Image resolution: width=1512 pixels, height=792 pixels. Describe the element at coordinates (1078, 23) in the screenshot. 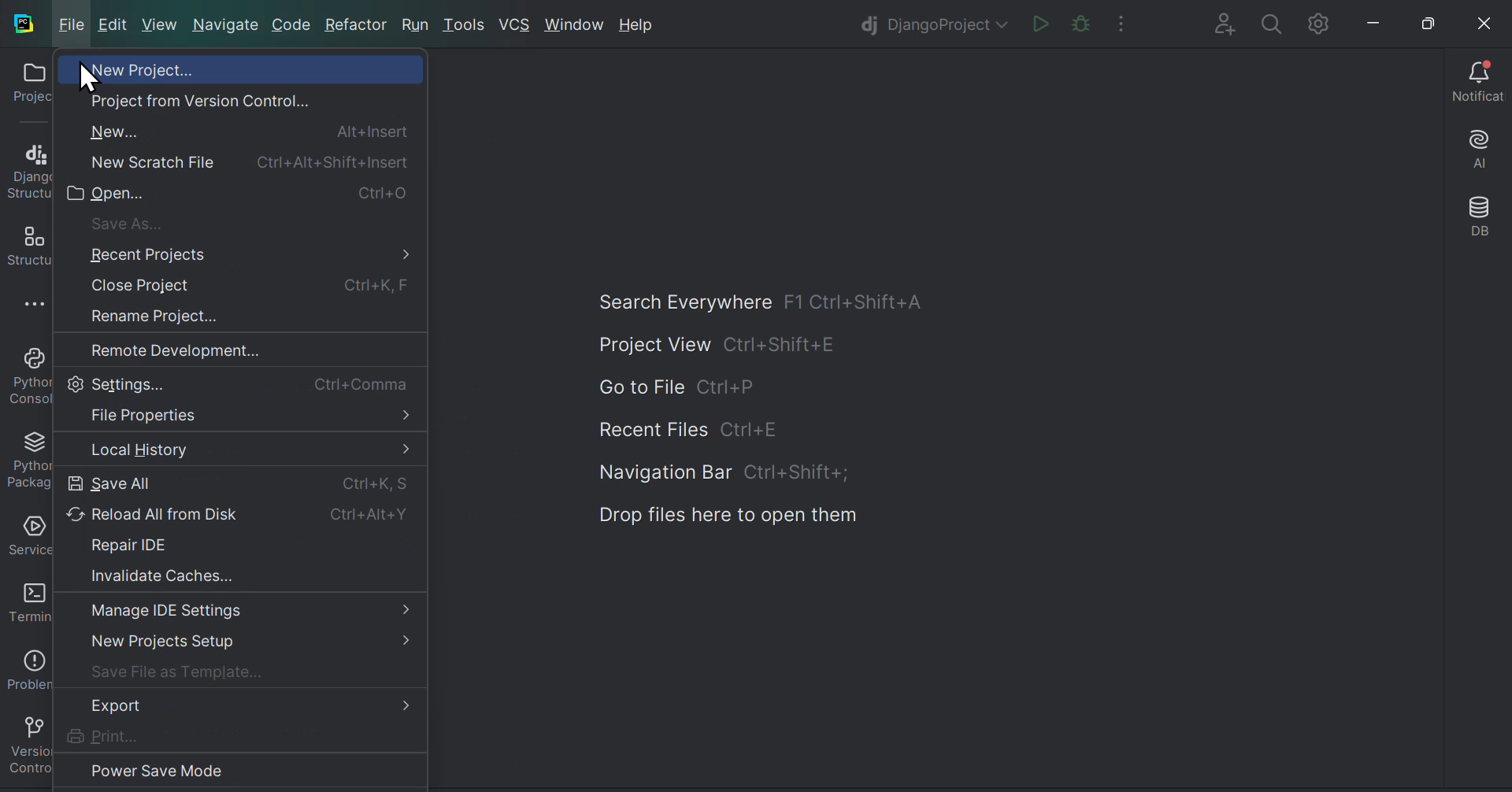

I see `The file in the editor is not renewable` at that location.